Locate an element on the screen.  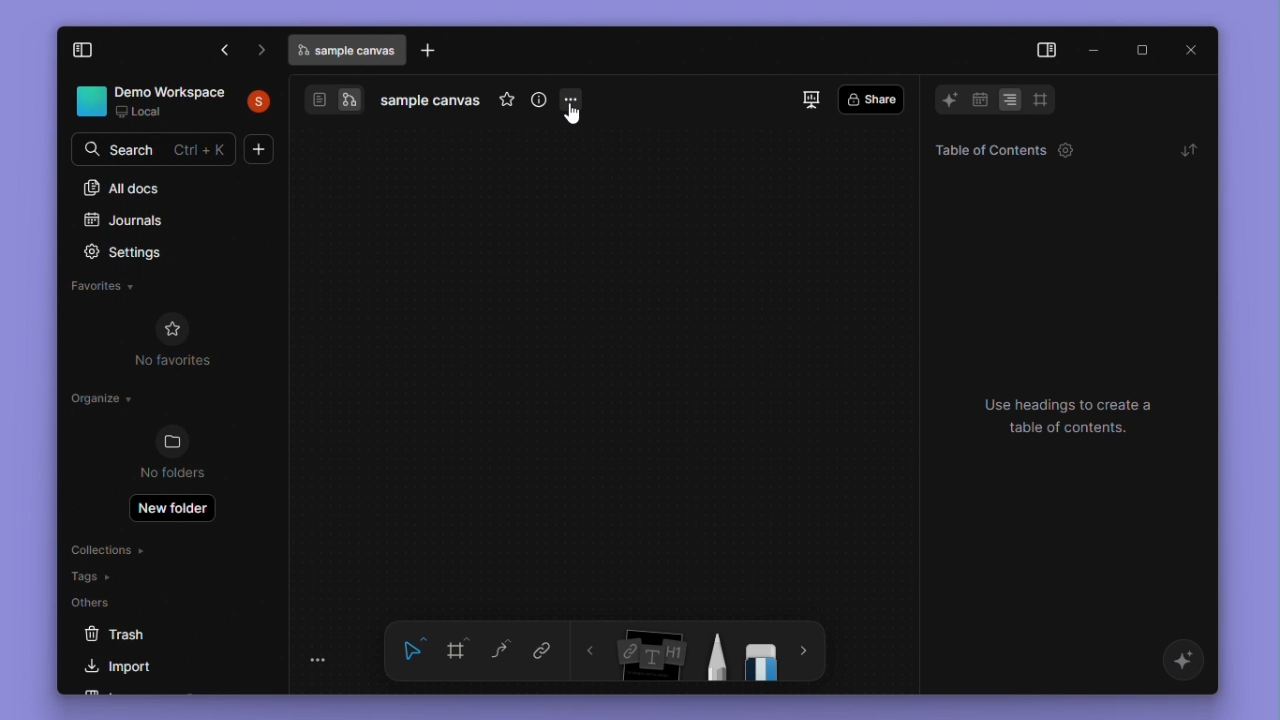
Settings is located at coordinates (136, 252).